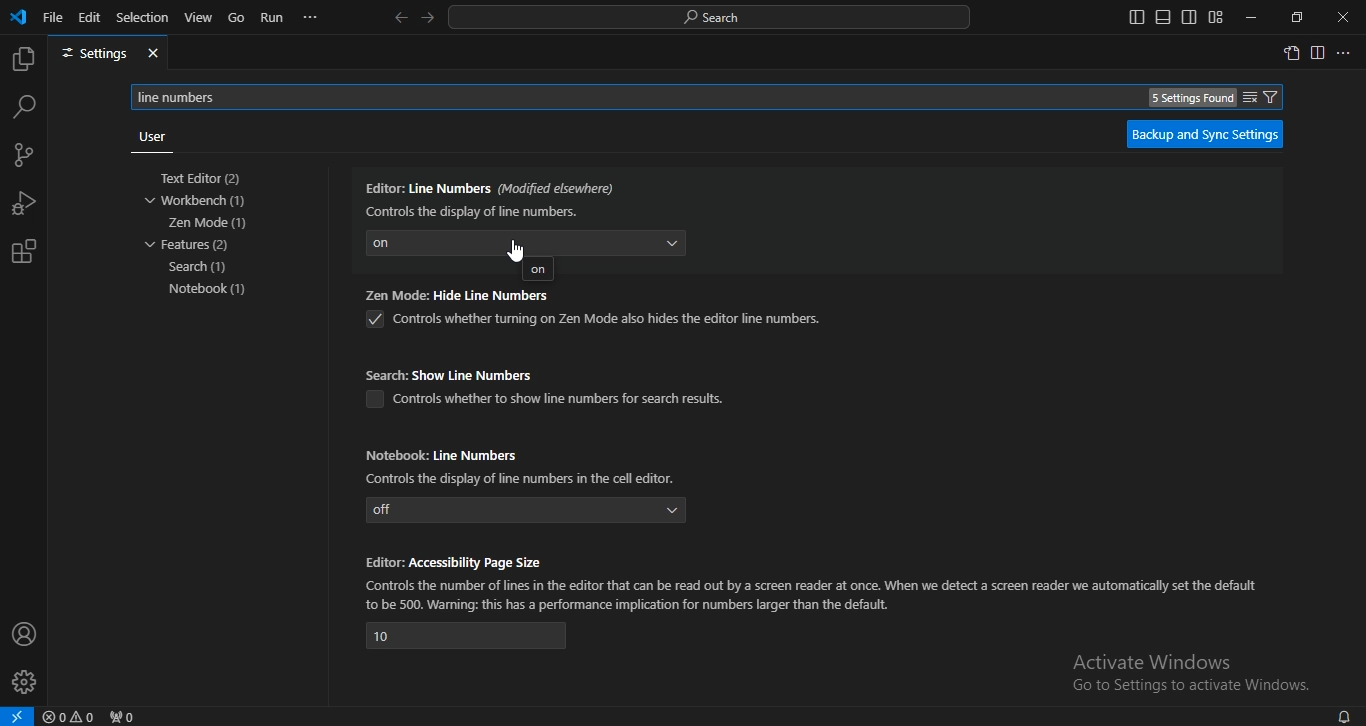  What do you see at coordinates (526, 242) in the screenshot?
I see `on` at bounding box center [526, 242].